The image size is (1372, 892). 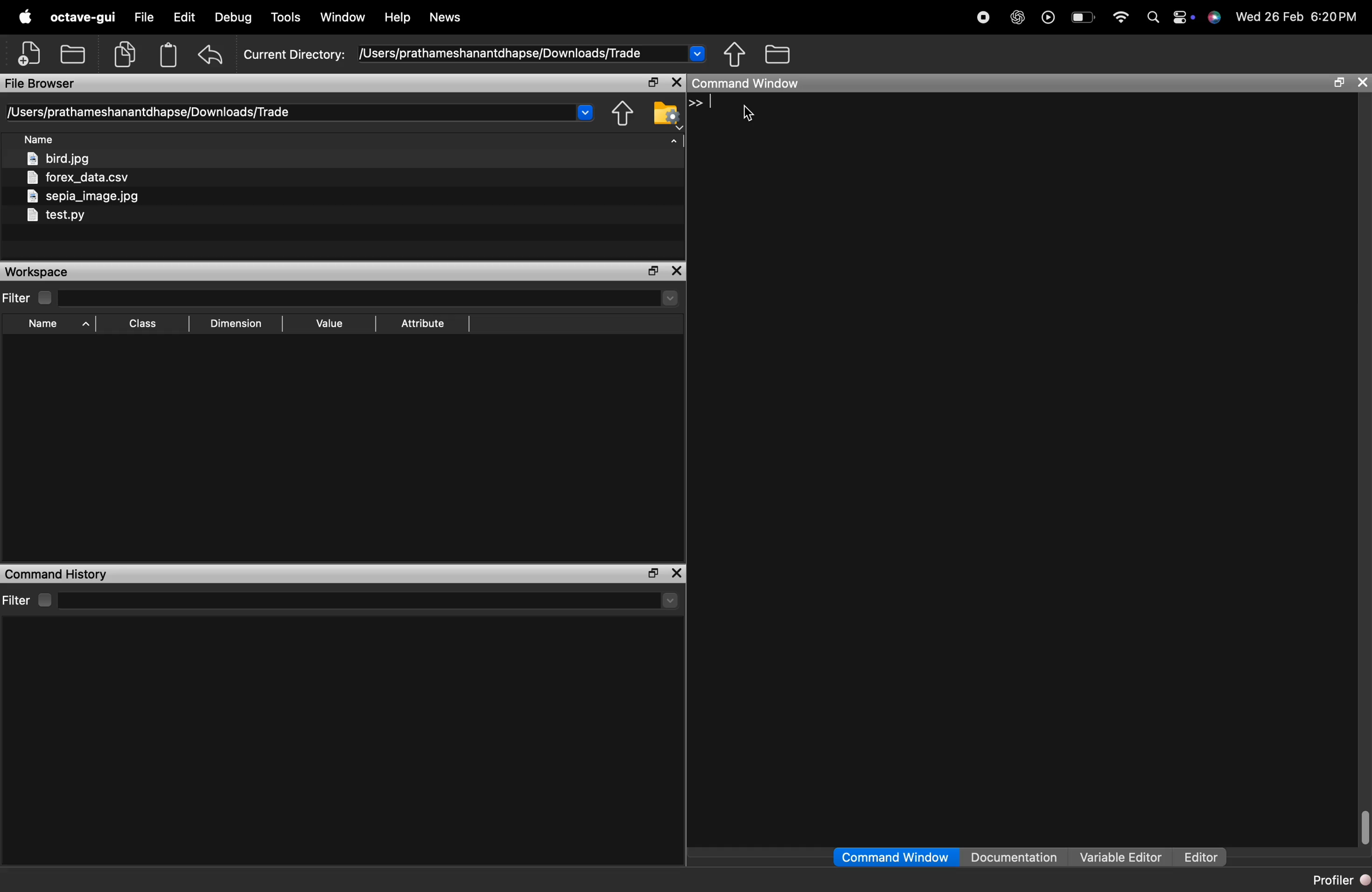 What do you see at coordinates (499, 54) in the screenshot?
I see `/Users/prathameshanantdhapse/Downloads/Trade` at bounding box center [499, 54].